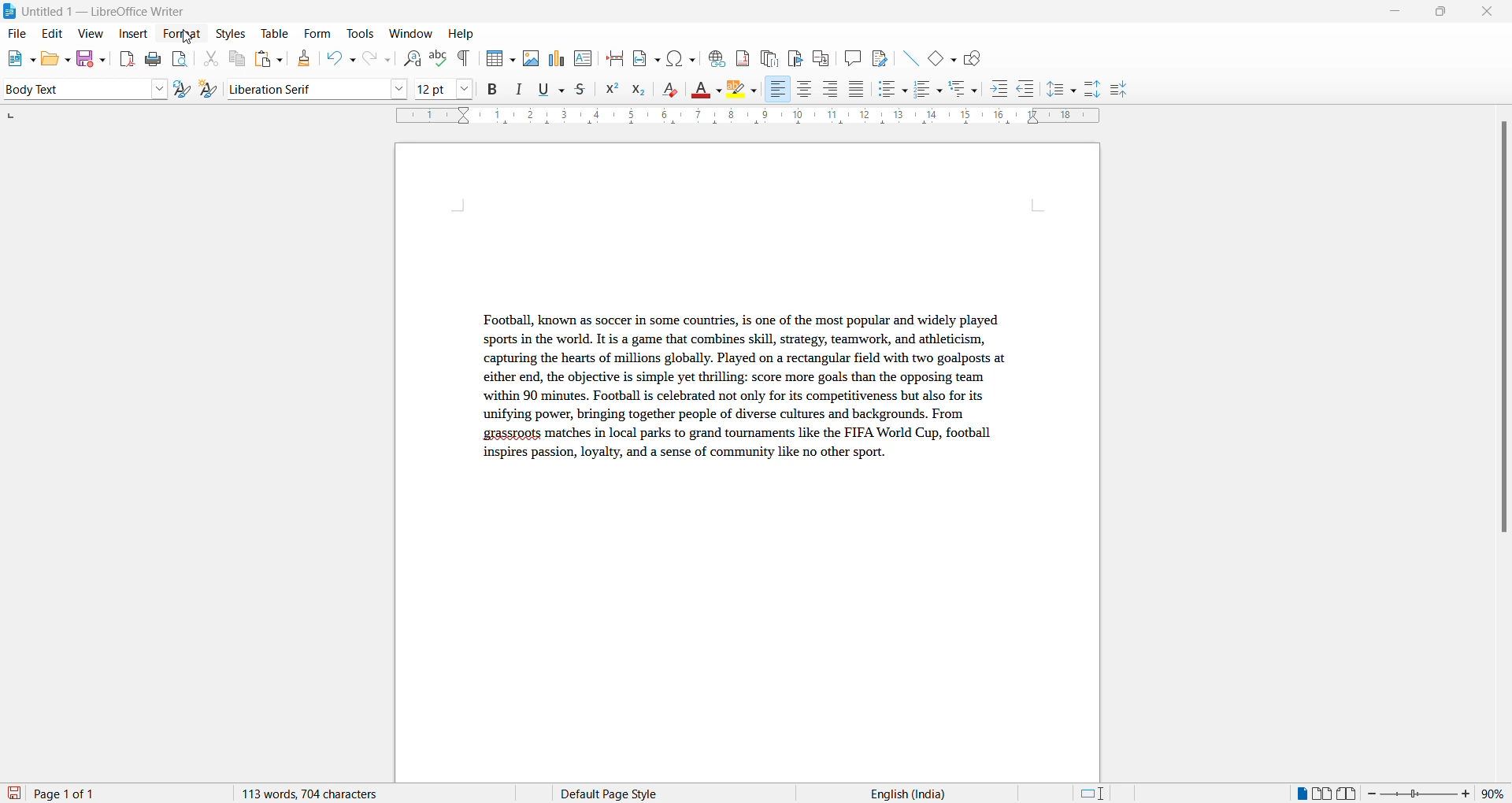 The width and height of the screenshot is (1512, 803). I want to click on cut, so click(210, 58).